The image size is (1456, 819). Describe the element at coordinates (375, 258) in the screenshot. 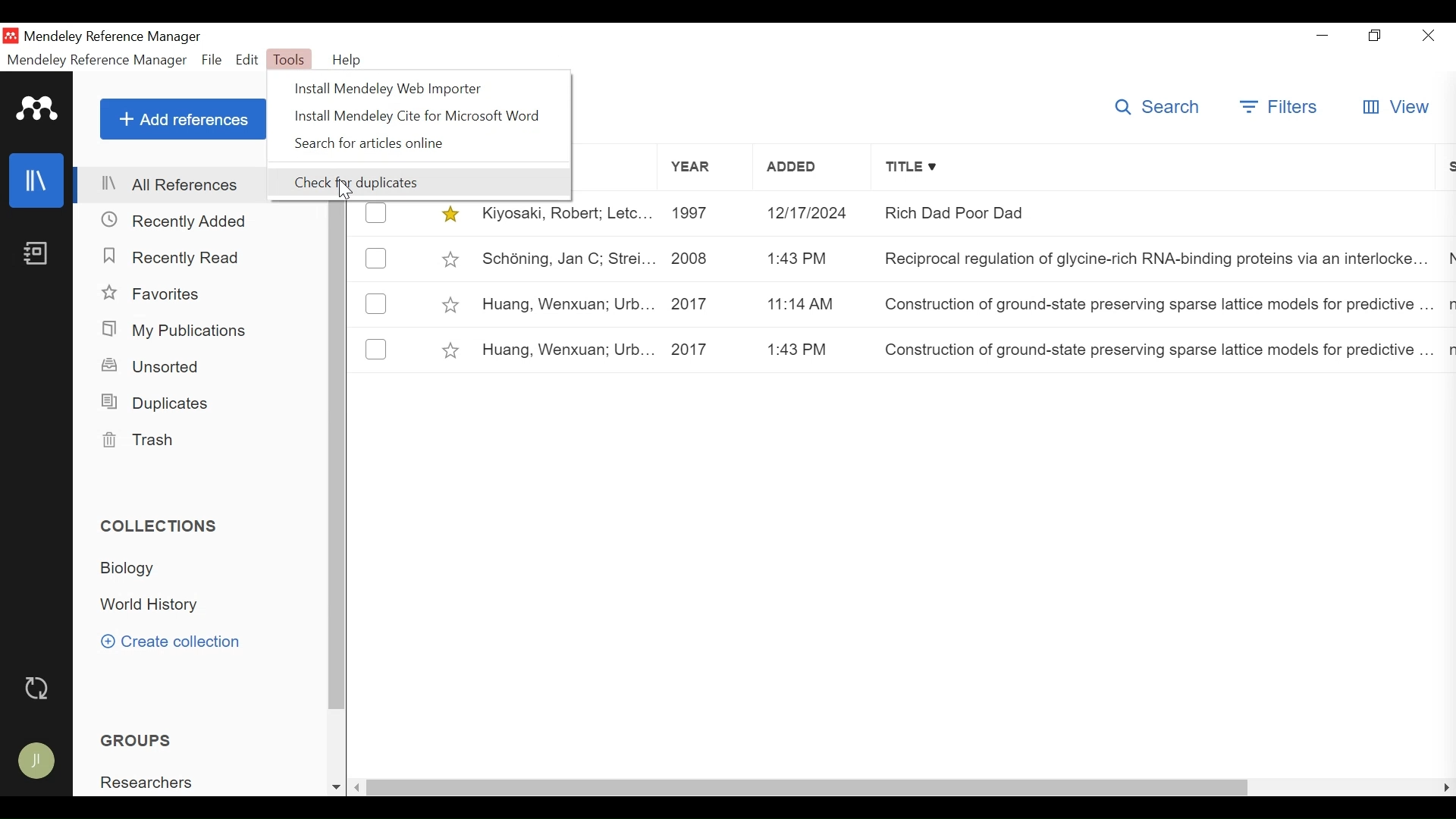

I see `(un)select` at that location.